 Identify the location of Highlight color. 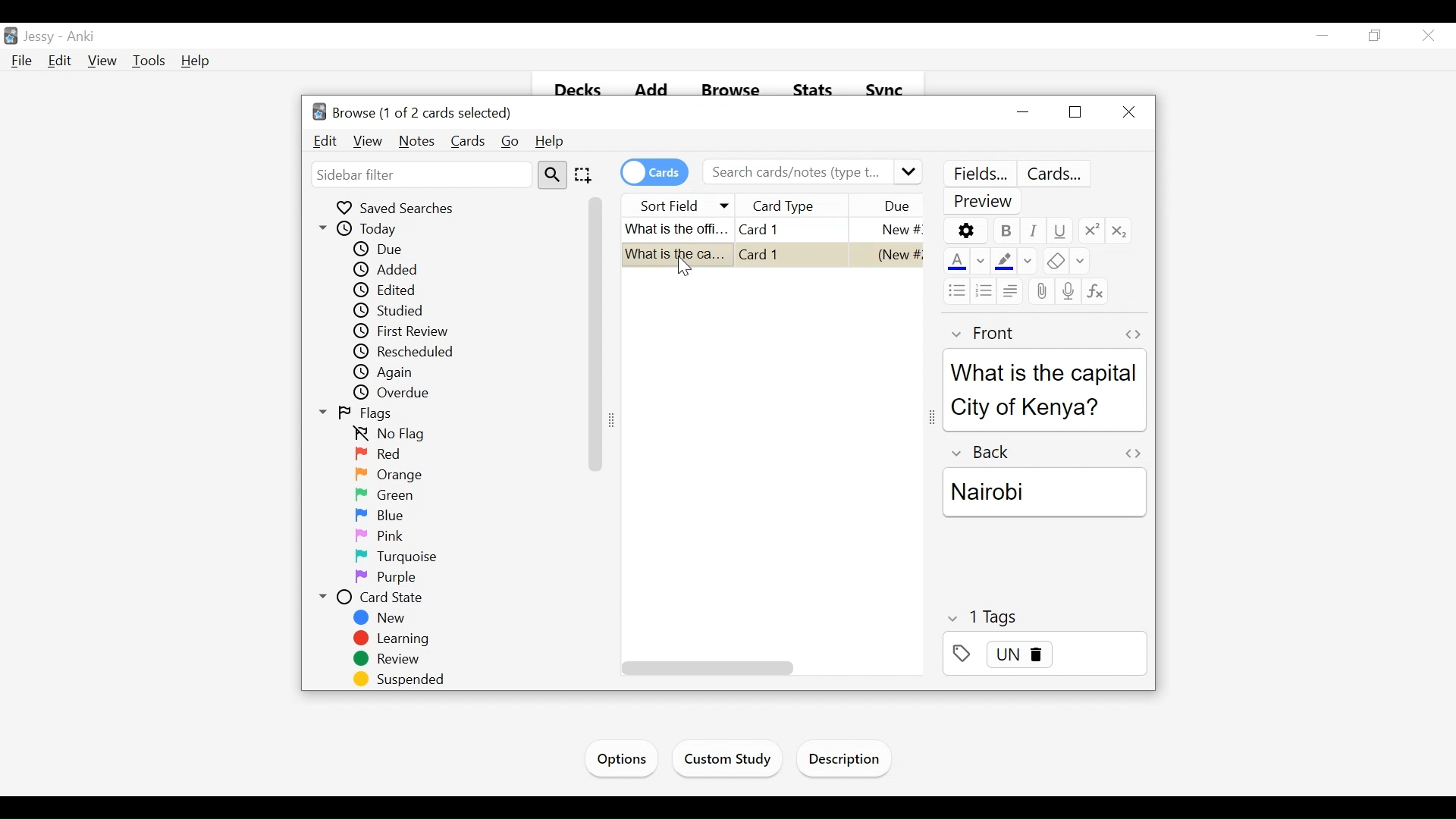
(1004, 261).